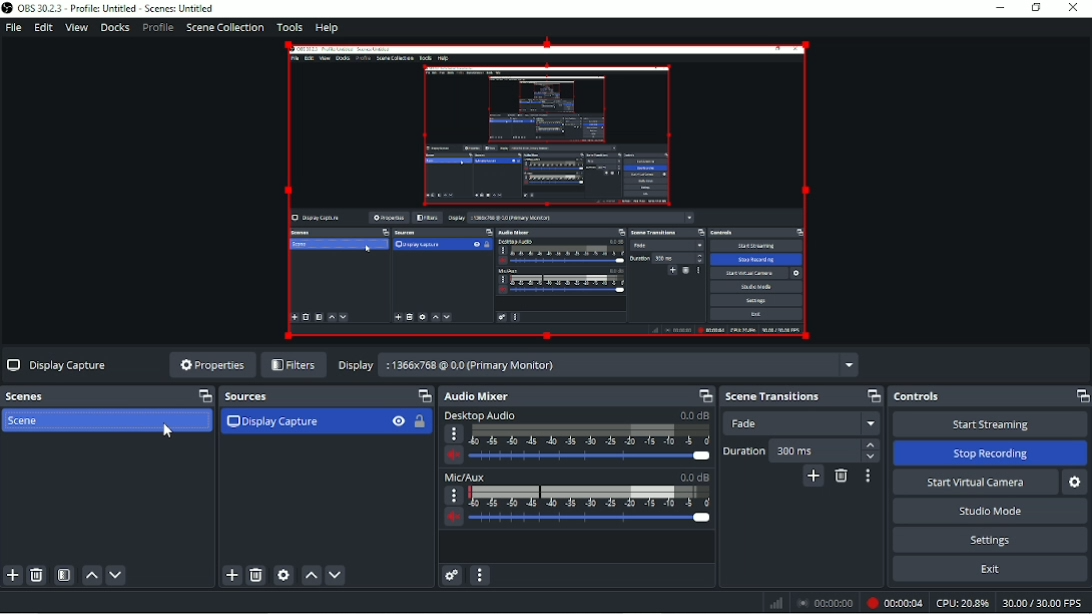 The width and height of the screenshot is (1092, 614). What do you see at coordinates (290, 27) in the screenshot?
I see `Tools` at bounding box center [290, 27].